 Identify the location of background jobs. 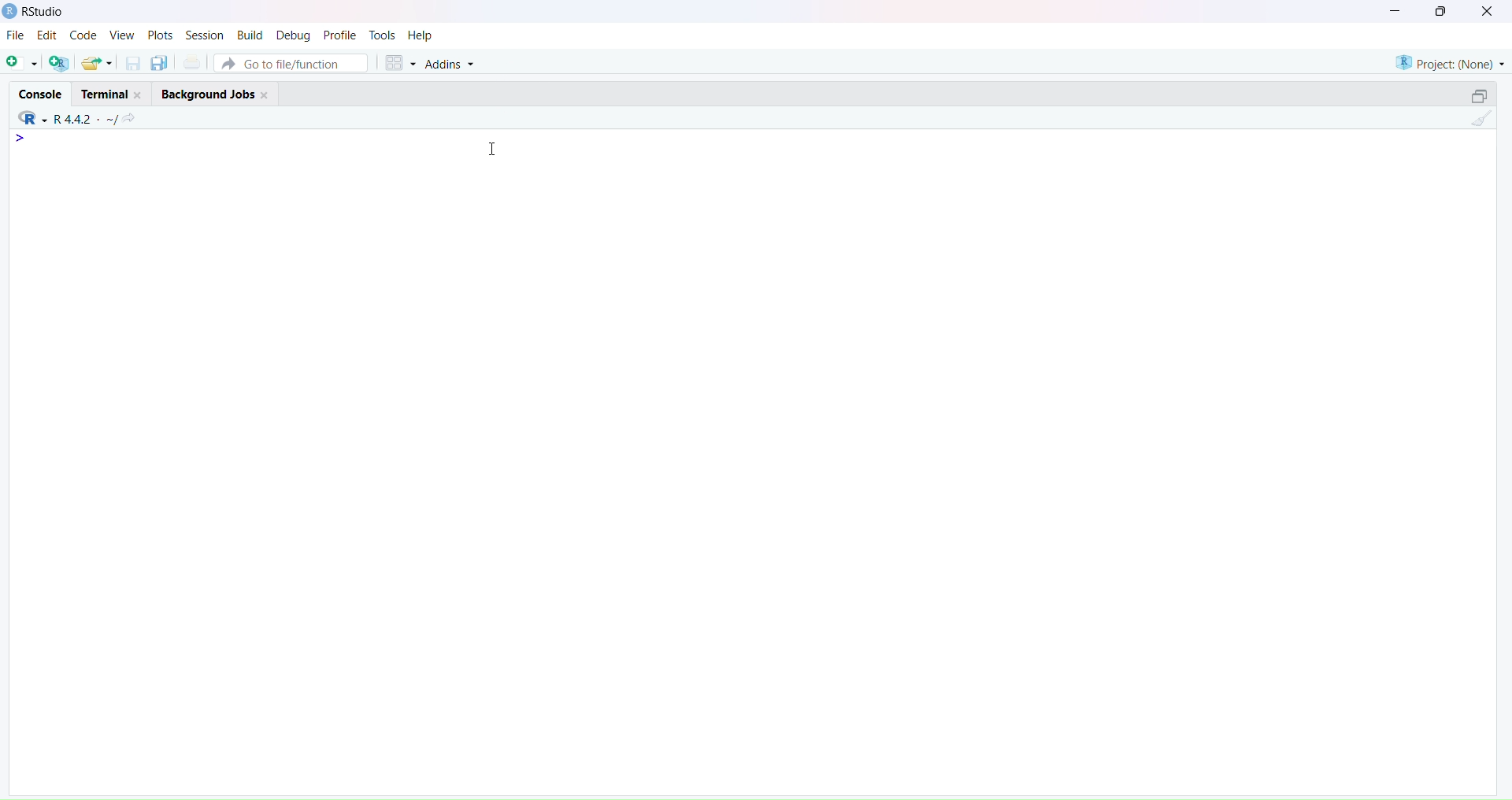
(216, 95).